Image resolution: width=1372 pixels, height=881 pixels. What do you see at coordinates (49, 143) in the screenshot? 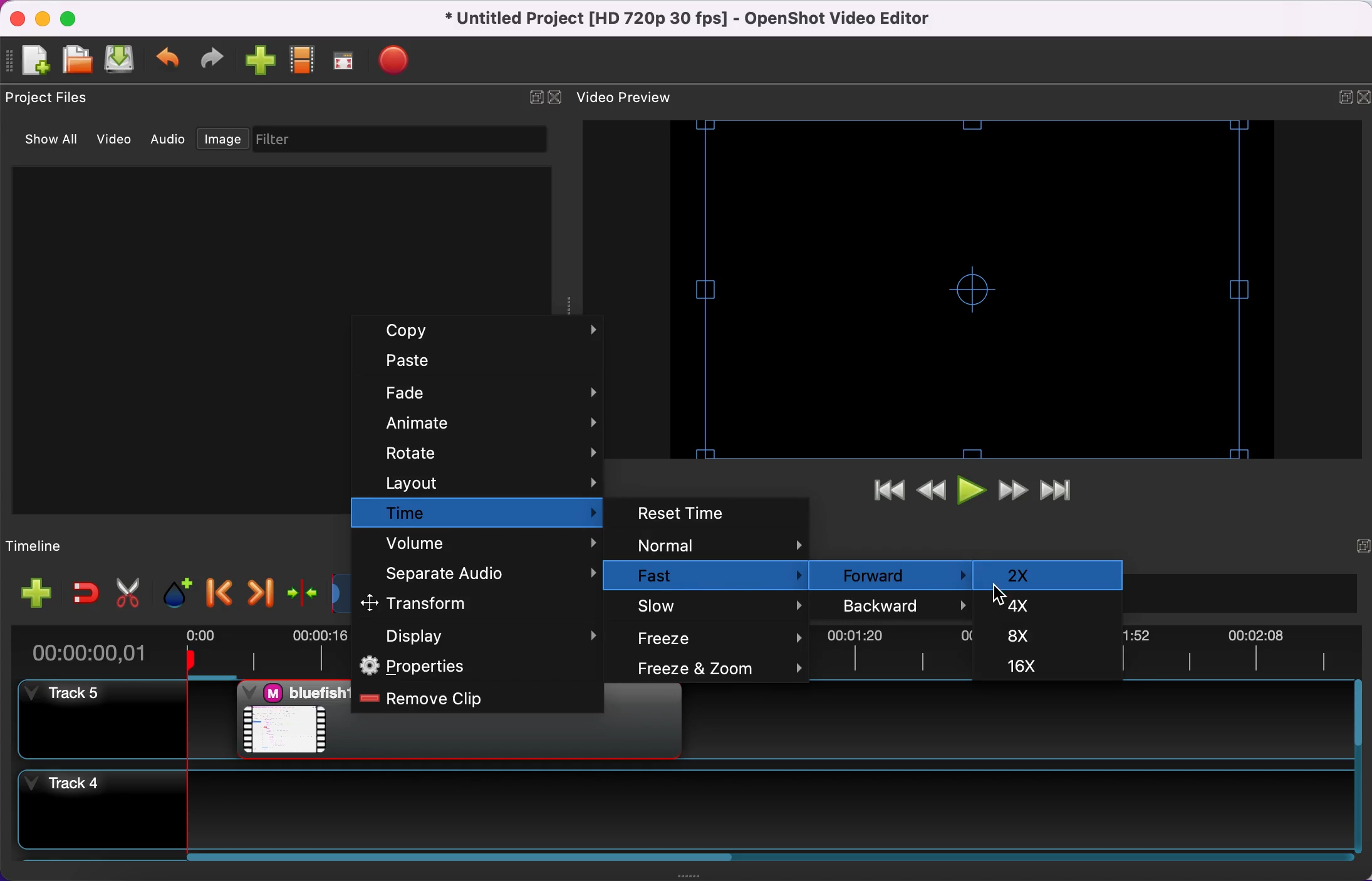
I see `show all` at bounding box center [49, 143].